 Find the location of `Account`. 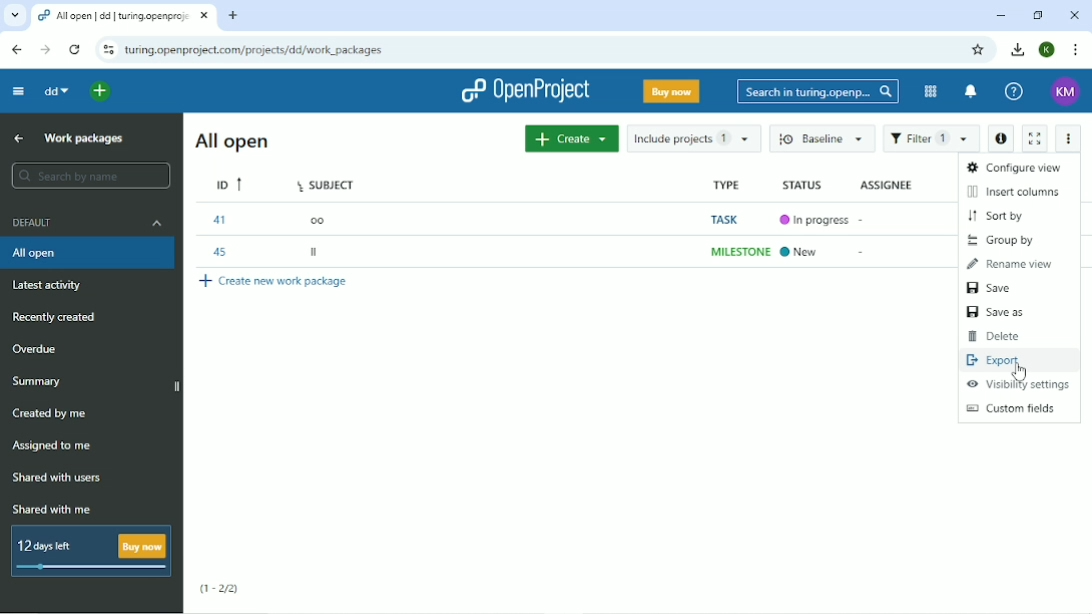

Account is located at coordinates (1067, 93).